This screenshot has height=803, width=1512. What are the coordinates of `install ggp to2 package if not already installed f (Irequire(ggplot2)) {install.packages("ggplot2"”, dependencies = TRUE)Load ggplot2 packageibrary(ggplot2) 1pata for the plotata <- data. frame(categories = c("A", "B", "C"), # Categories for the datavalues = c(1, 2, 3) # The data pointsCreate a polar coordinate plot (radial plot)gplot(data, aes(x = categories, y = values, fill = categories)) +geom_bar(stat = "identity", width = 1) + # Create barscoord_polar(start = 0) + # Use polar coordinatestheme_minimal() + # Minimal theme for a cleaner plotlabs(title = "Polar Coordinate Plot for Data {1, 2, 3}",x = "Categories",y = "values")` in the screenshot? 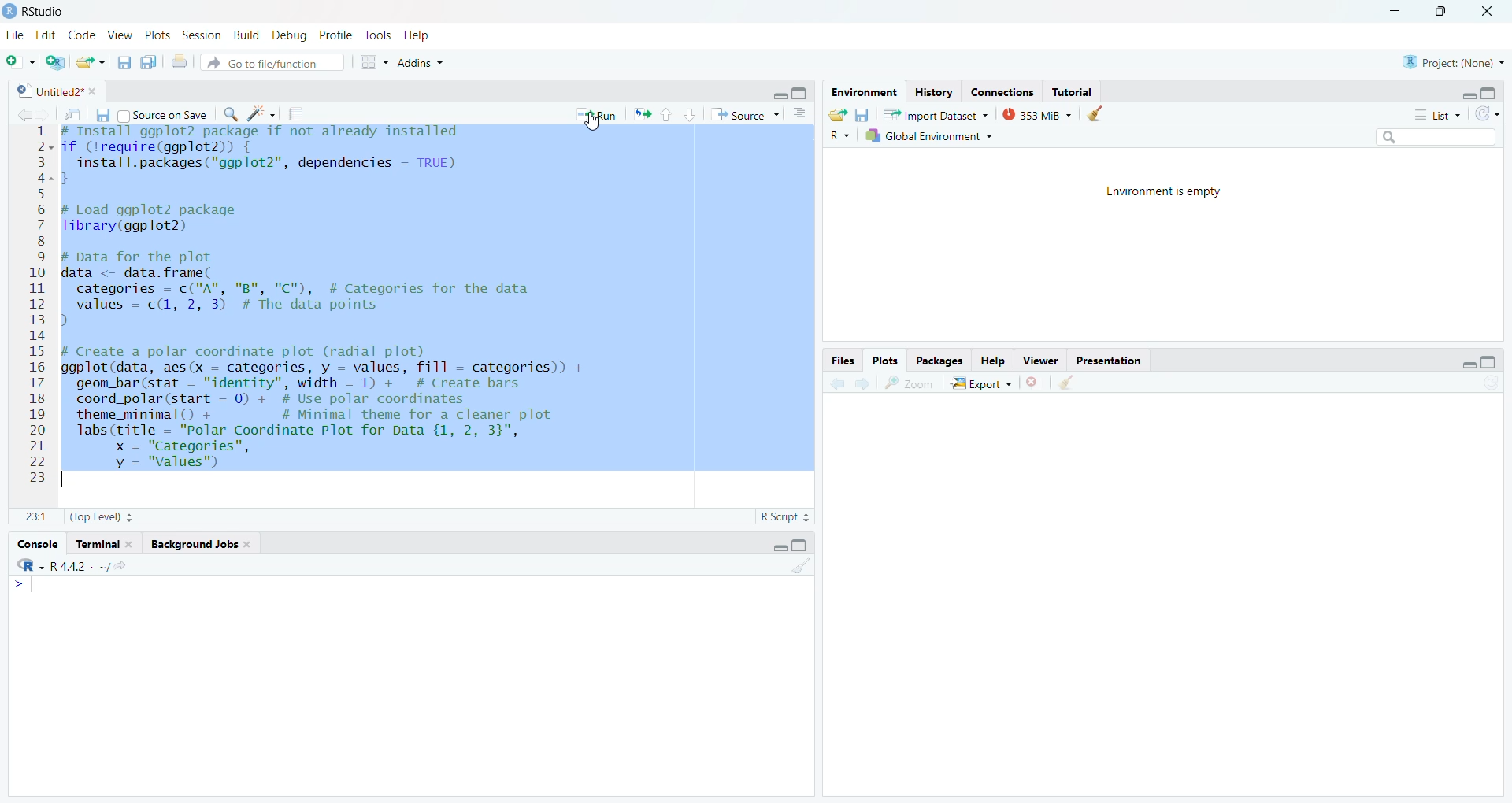 It's located at (432, 297).